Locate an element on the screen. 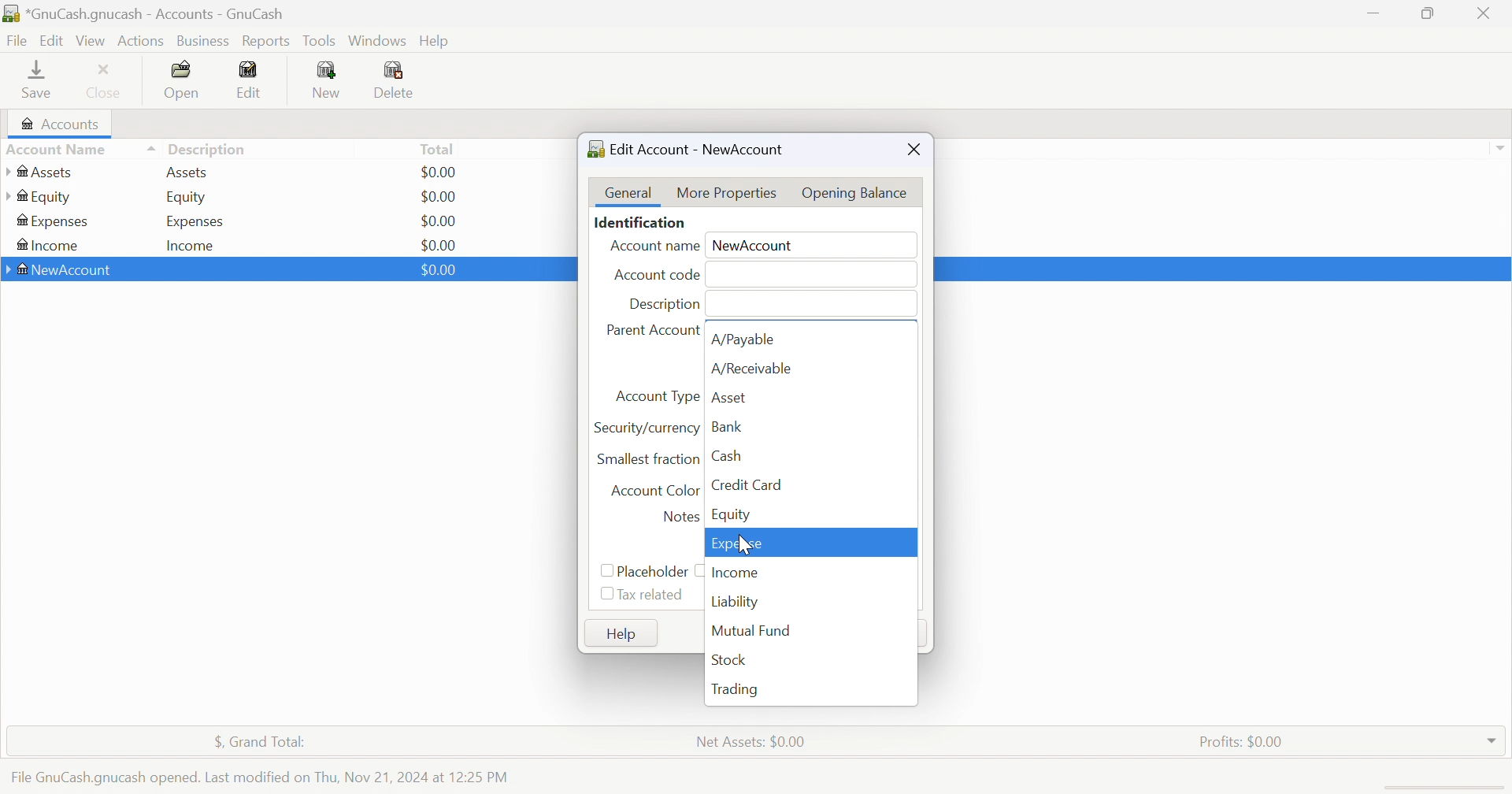 Image resolution: width=1512 pixels, height=794 pixels. Account Type is located at coordinates (655, 398).